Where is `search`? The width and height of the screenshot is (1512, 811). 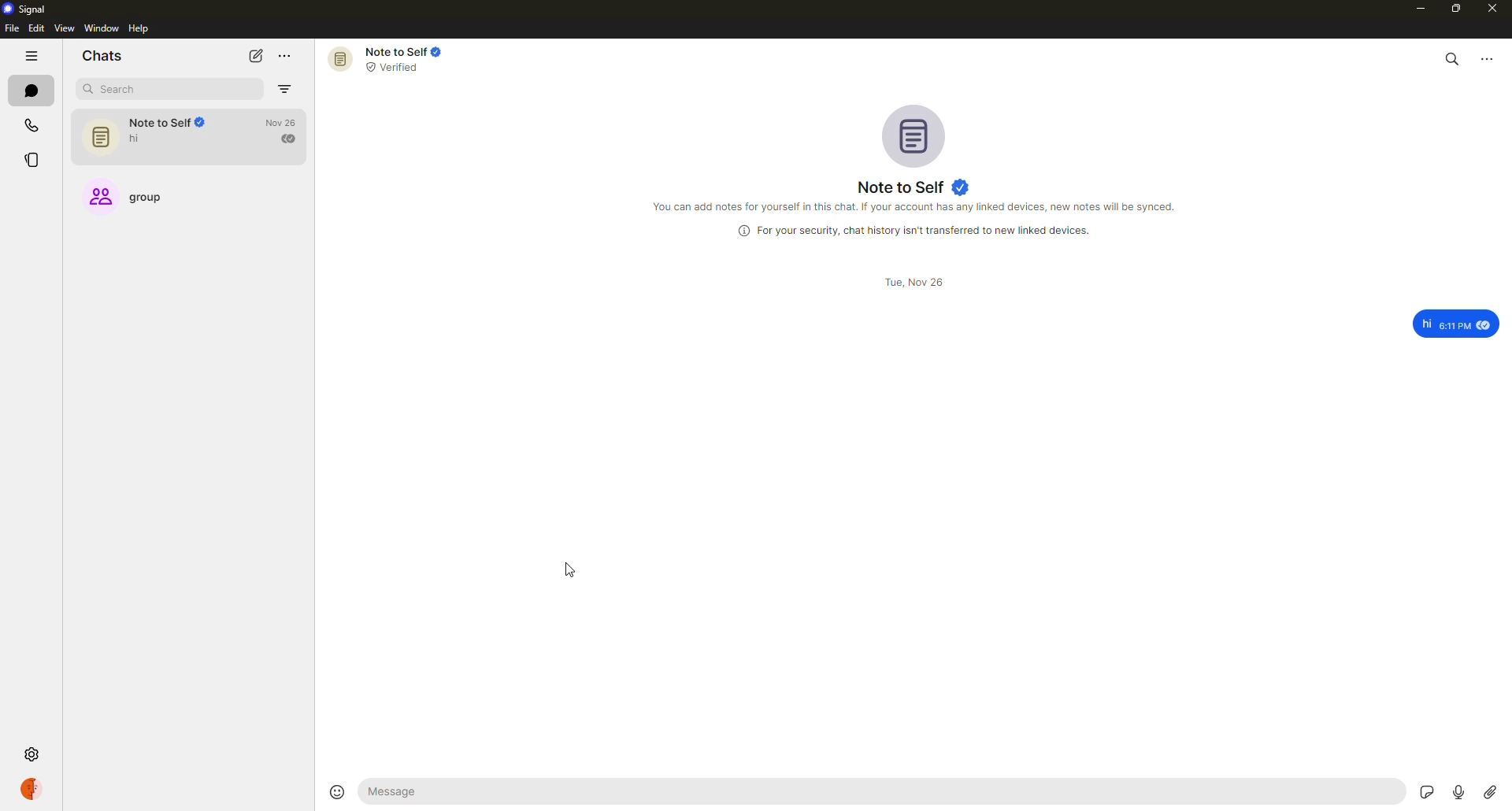 search is located at coordinates (145, 89).